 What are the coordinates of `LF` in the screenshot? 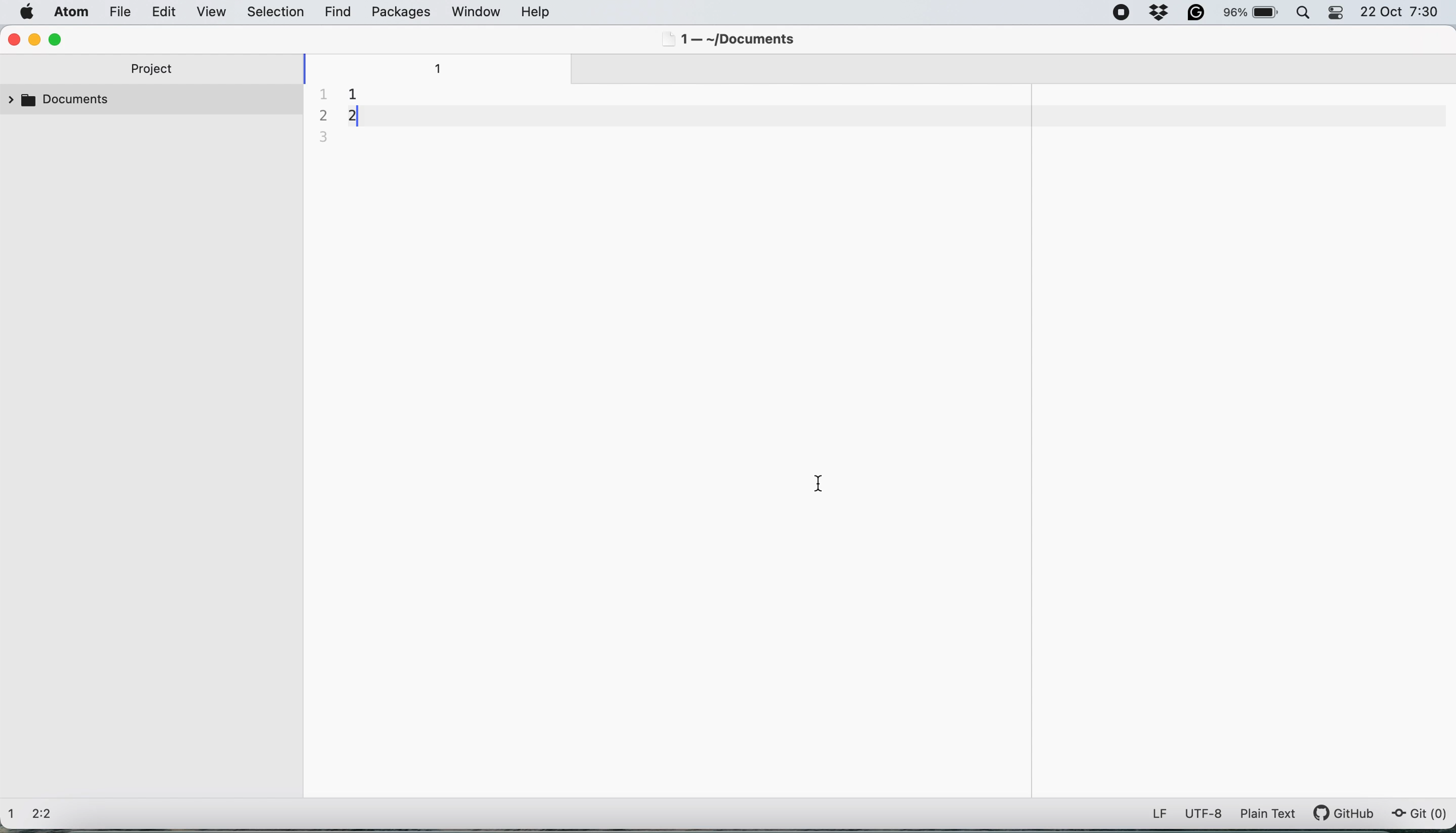 It's located at (1160, 814).